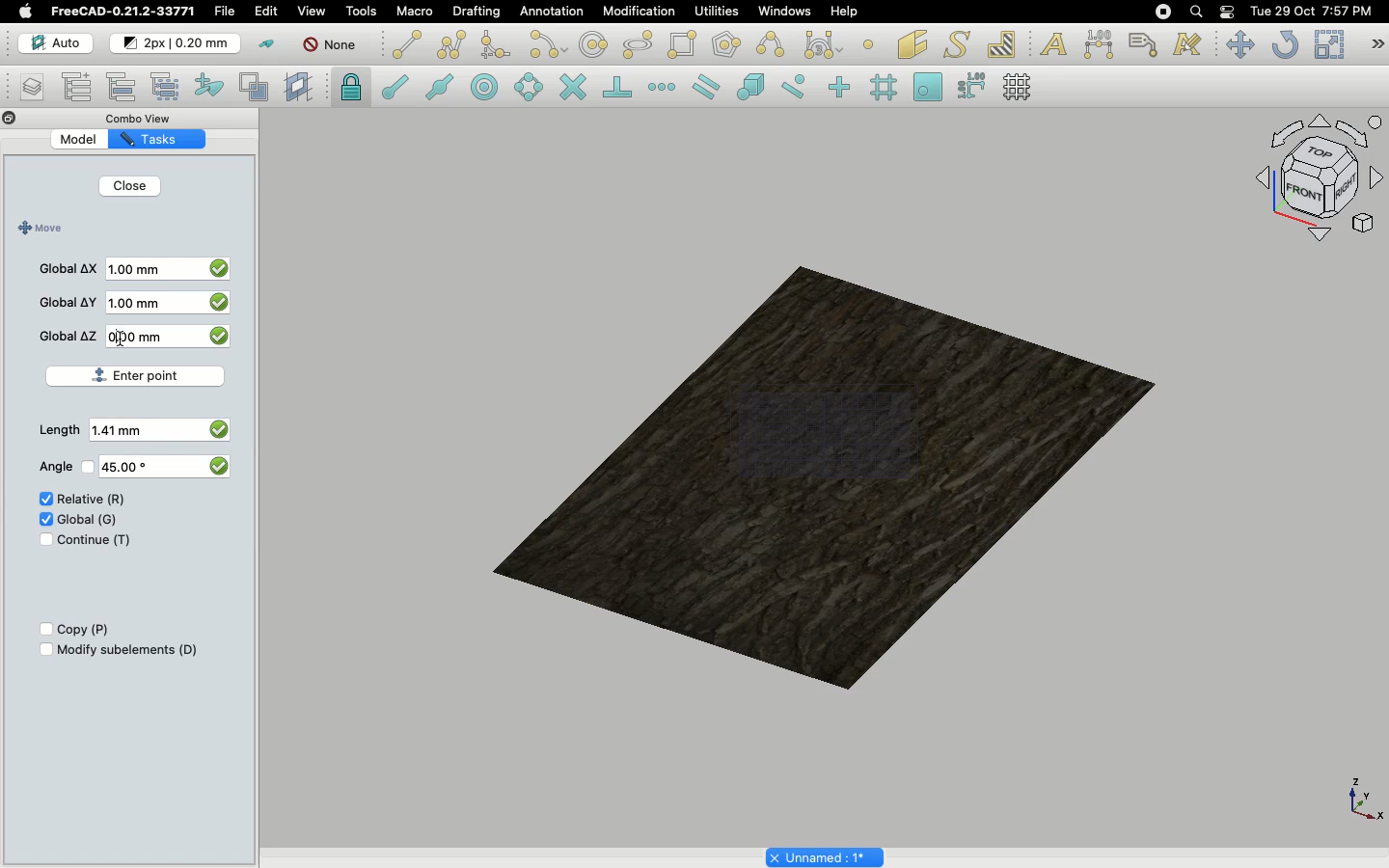 This screenshot has width=1389, height=868. What do you see at coordinates (217, 465) in the screenshot?
I see `checkbox` at bounding box center [217, 465].